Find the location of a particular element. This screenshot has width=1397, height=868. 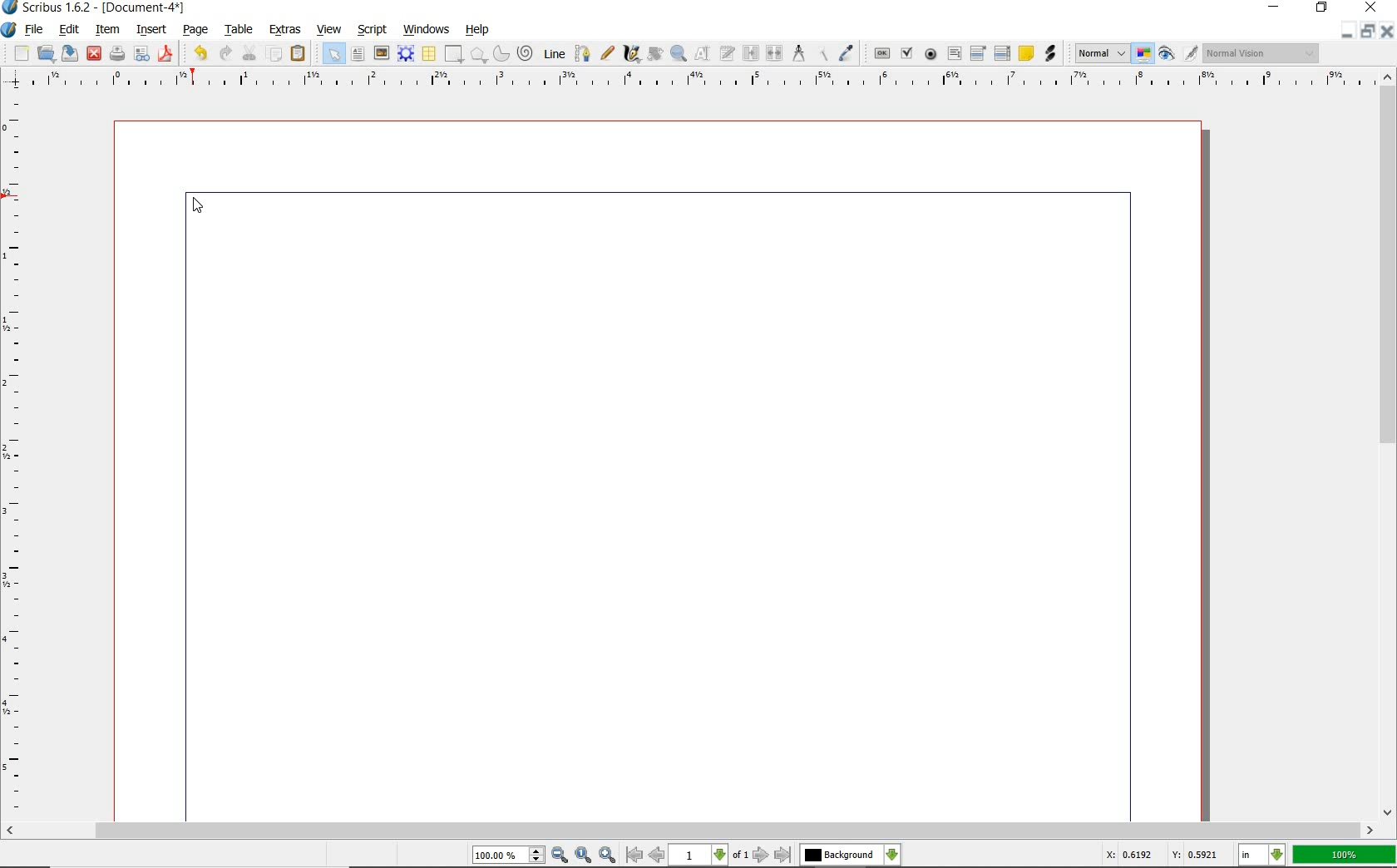

edit is located at coordinates (70, 29).